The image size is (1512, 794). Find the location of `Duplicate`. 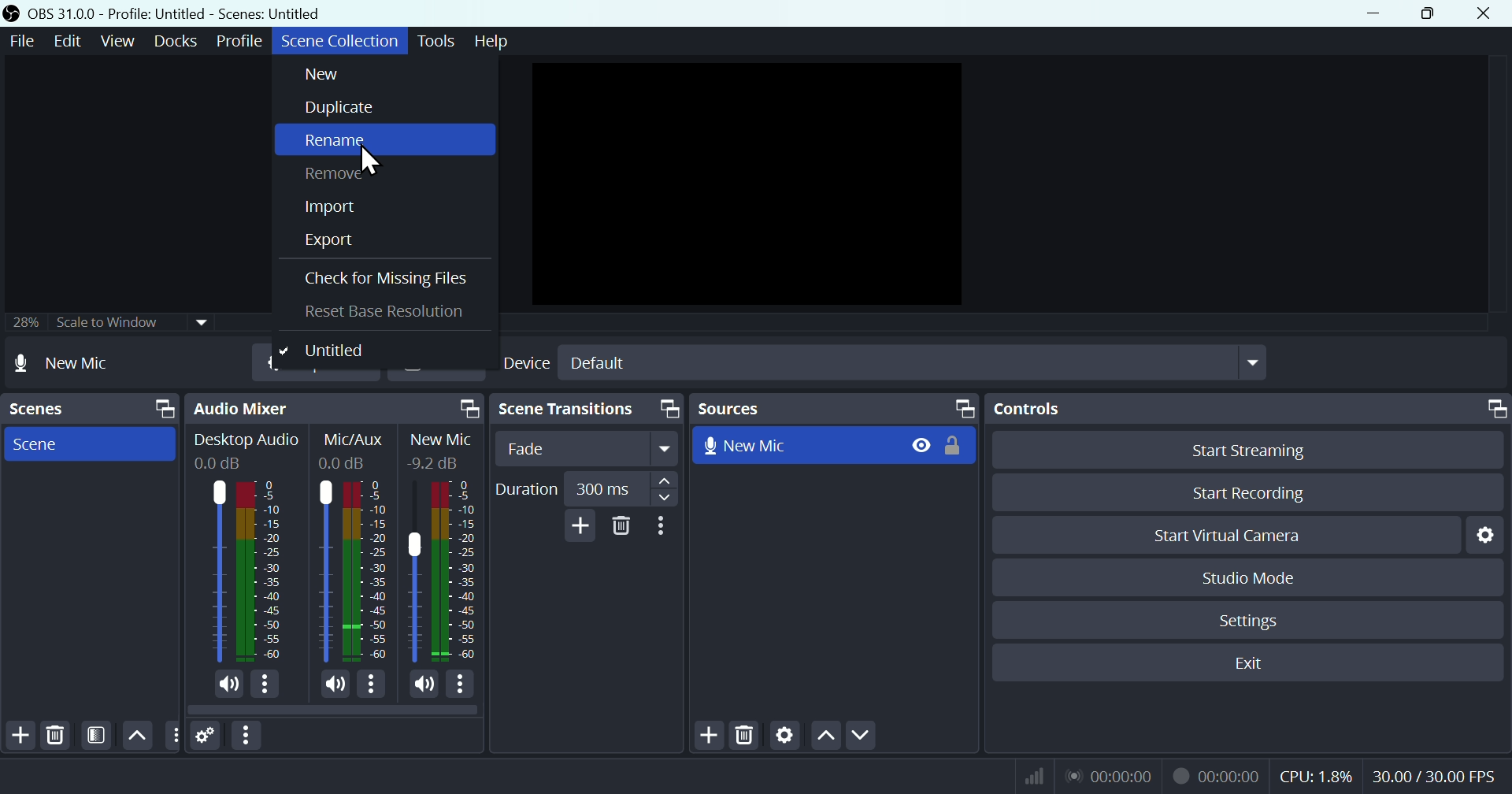

Duplicate is located at coordinates (341, 110).